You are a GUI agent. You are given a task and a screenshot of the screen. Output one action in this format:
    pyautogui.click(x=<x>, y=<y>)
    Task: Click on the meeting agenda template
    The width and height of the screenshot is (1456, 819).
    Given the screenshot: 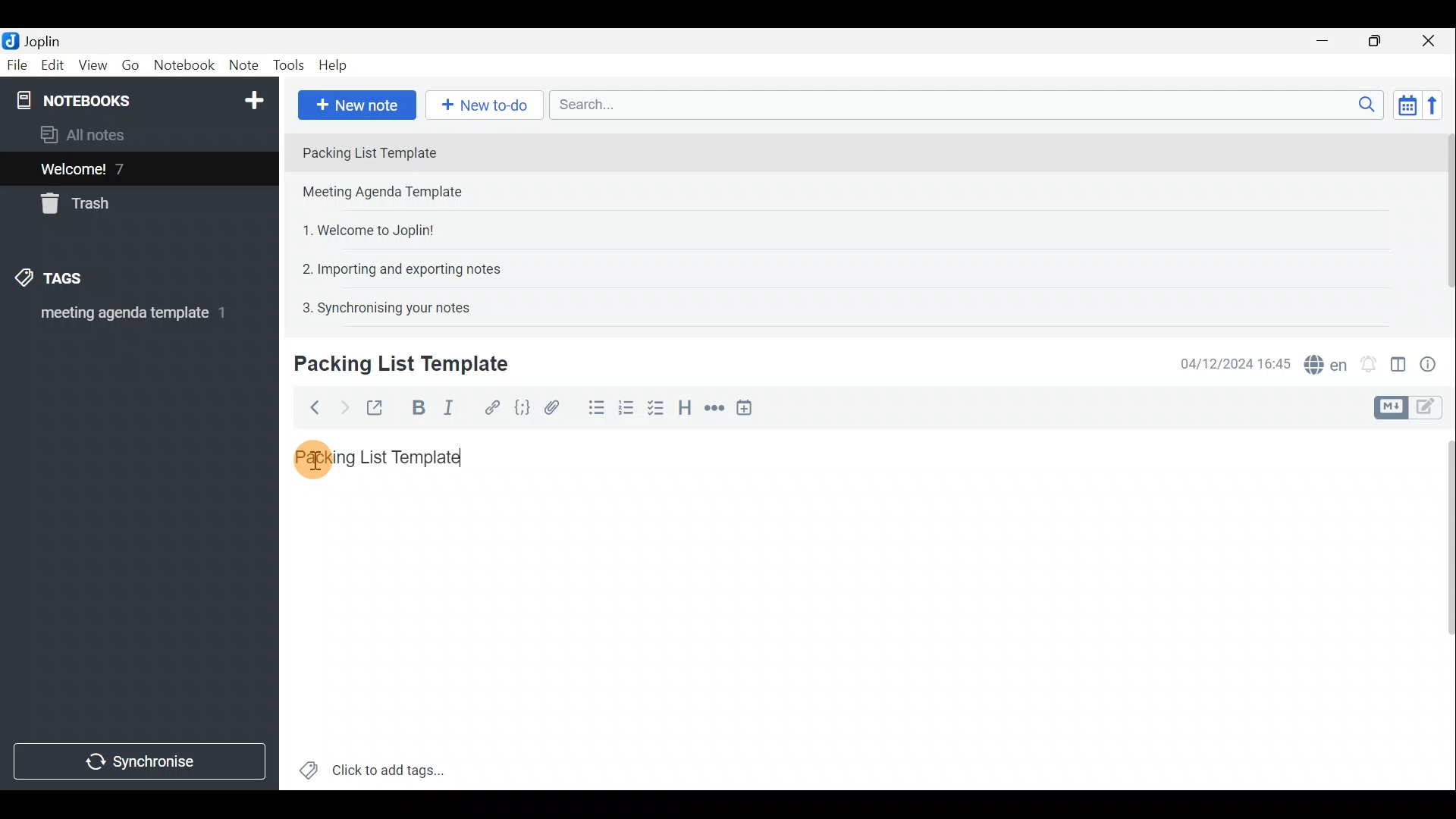 What is the action you would take?
    pyautogui.click(x=130, y=318)
    